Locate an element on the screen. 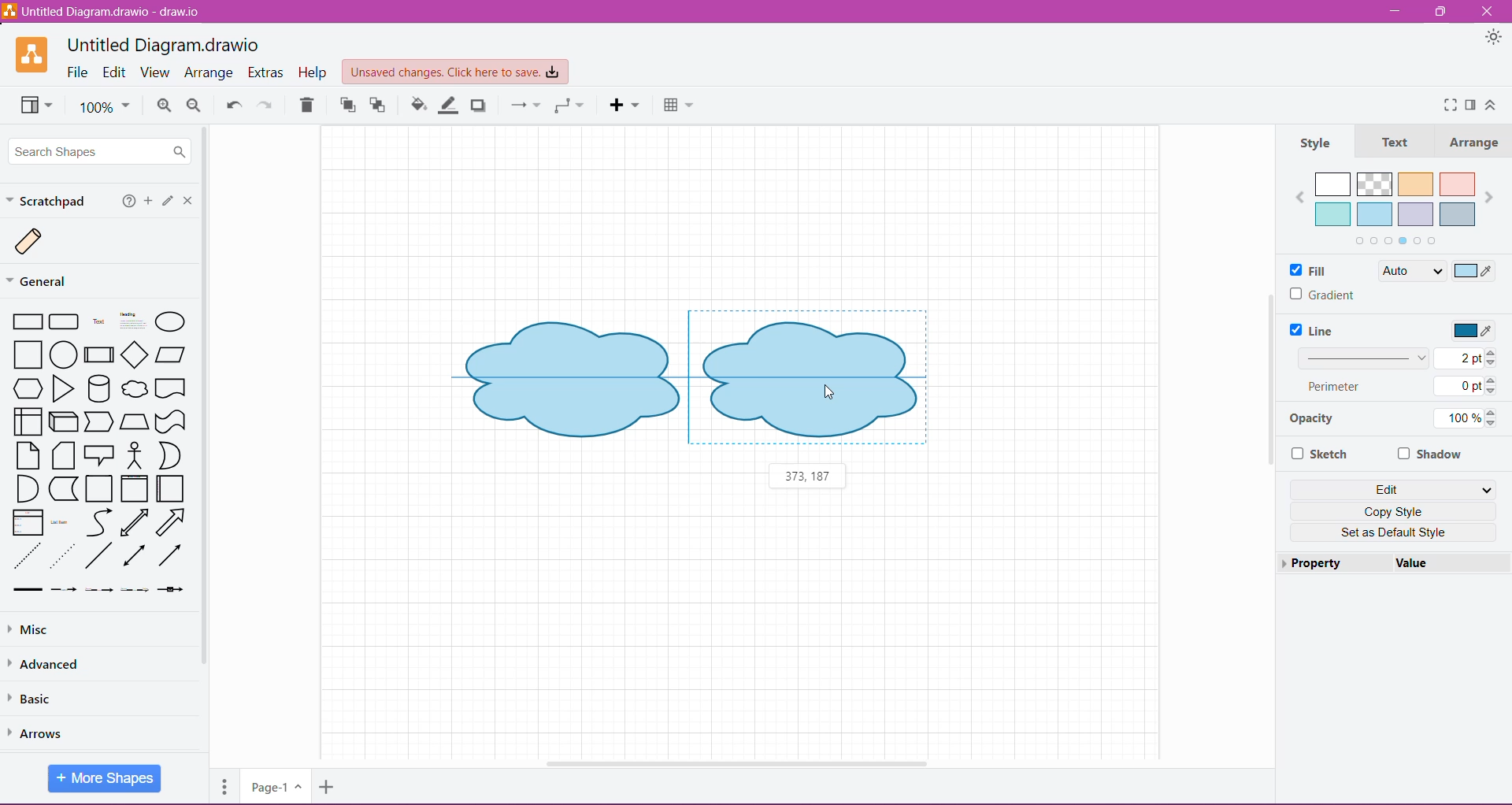 The width and height of the screenshot is (1512, 805). Edit is located at coordinates (116, 72).